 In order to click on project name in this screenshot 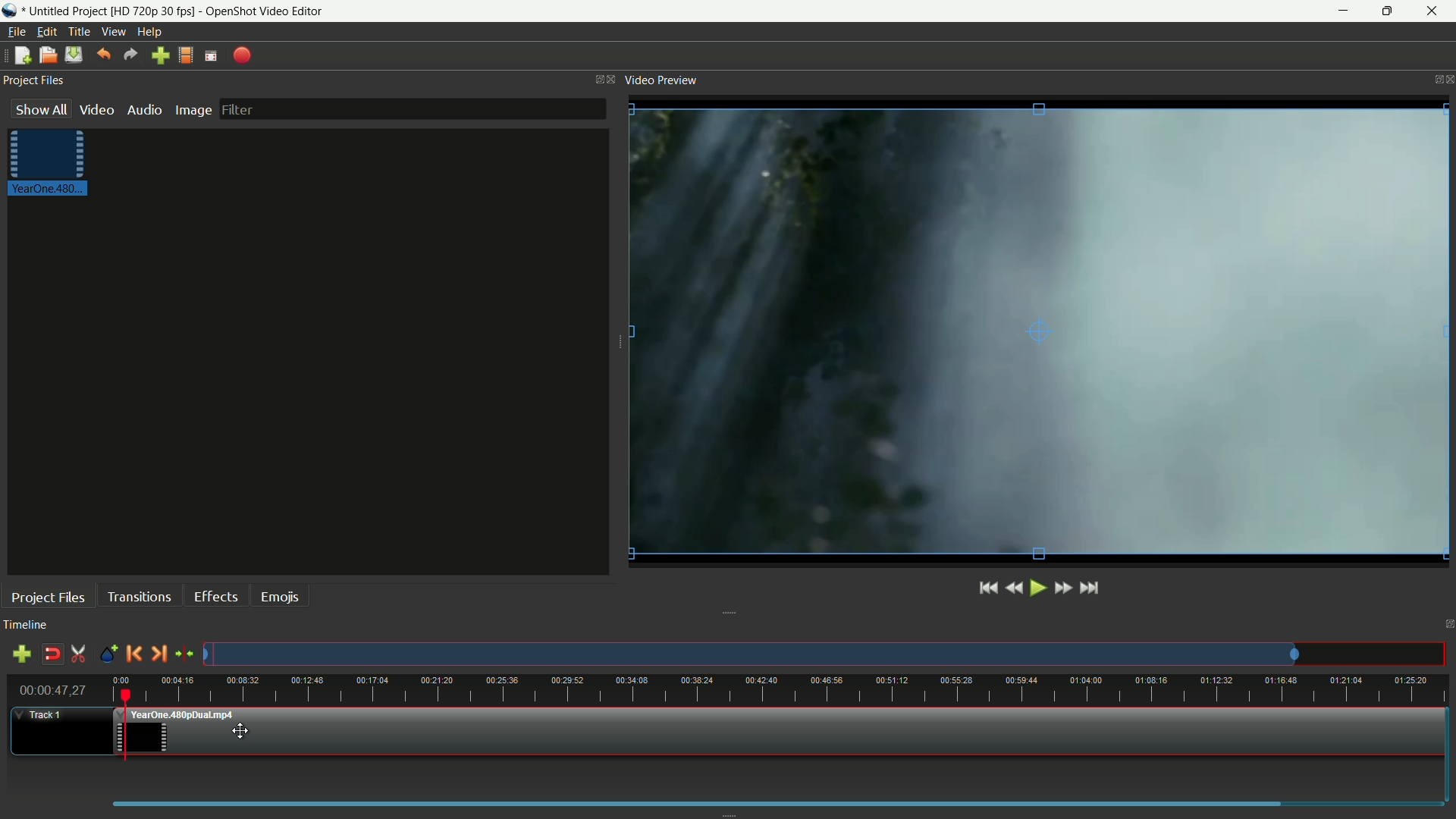, I will do `click(62, 11)`.